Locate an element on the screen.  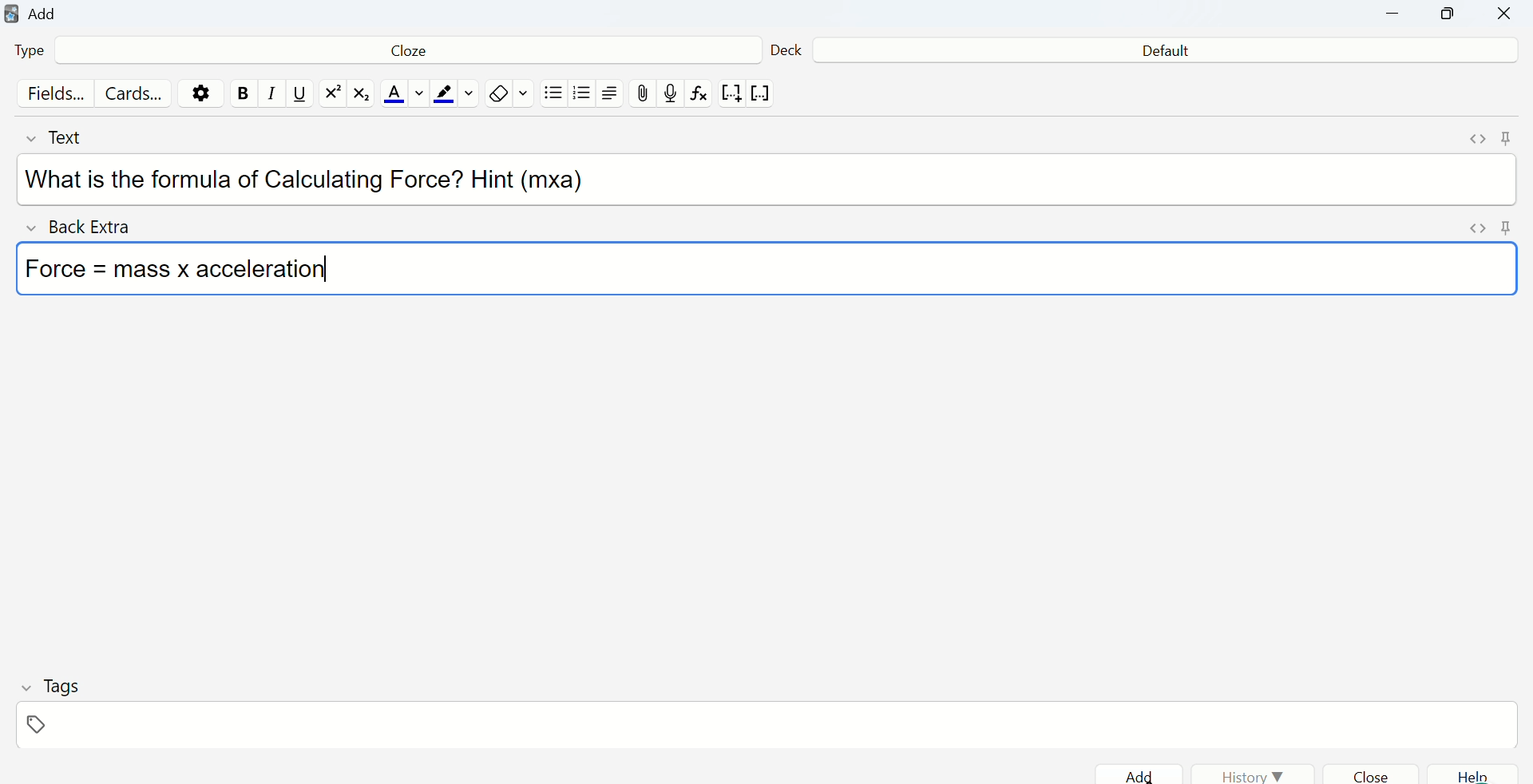
Numbered list is located at coordinates (584, 96).